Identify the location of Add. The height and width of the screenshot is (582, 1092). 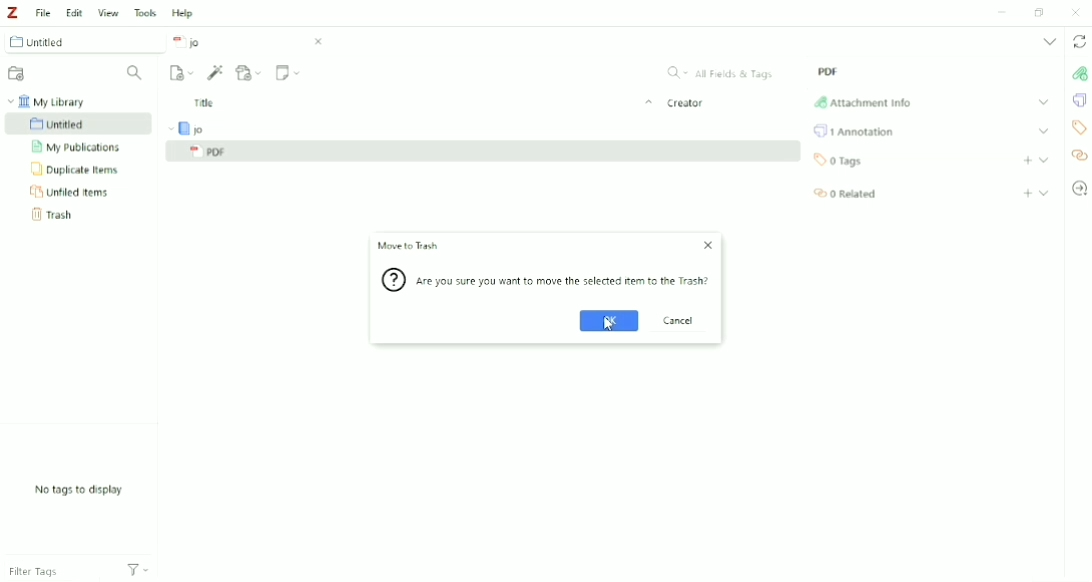
(1028, 194).